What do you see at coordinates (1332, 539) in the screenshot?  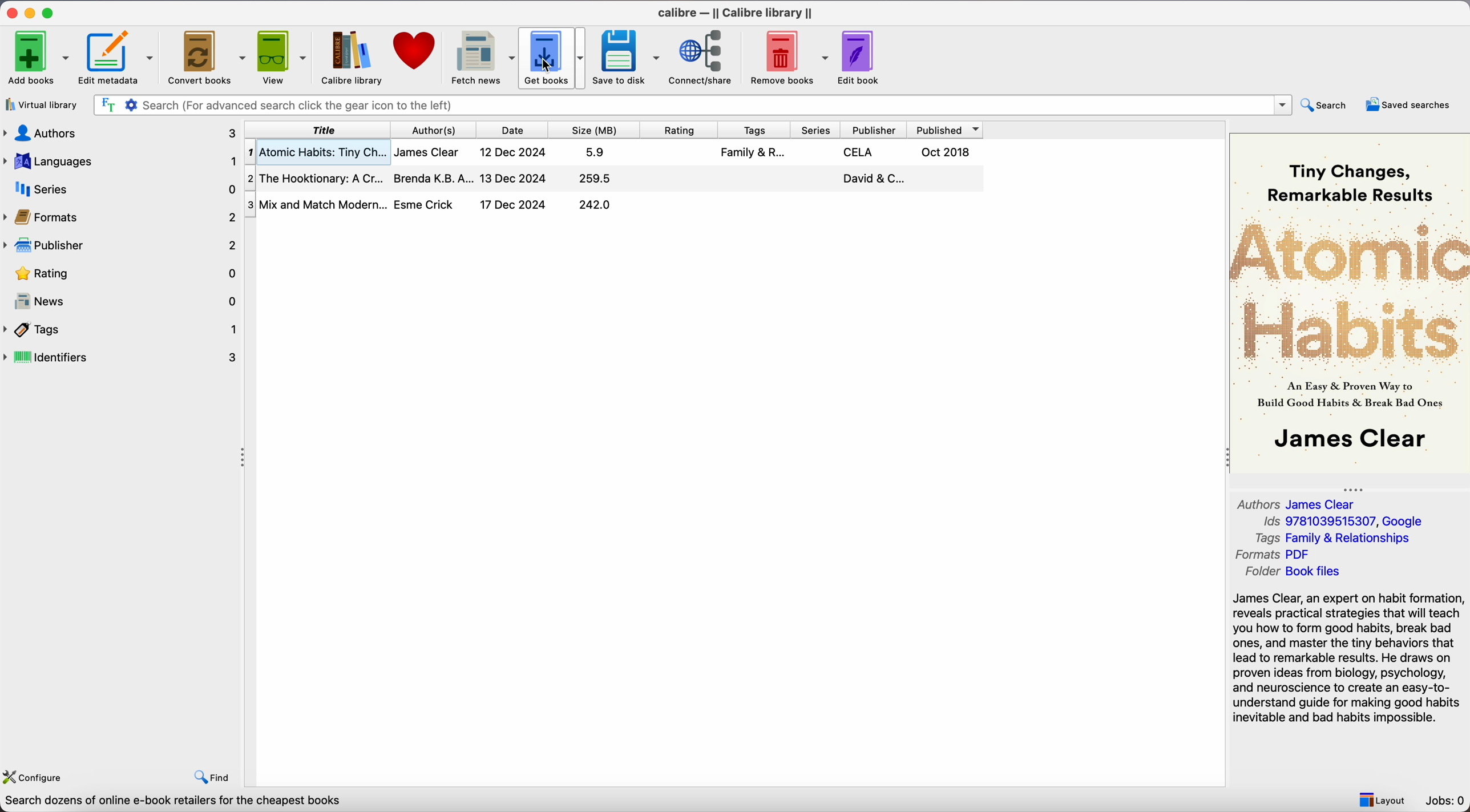 I see `Tags Family & Relationships` at bounding box center [1332, 539].